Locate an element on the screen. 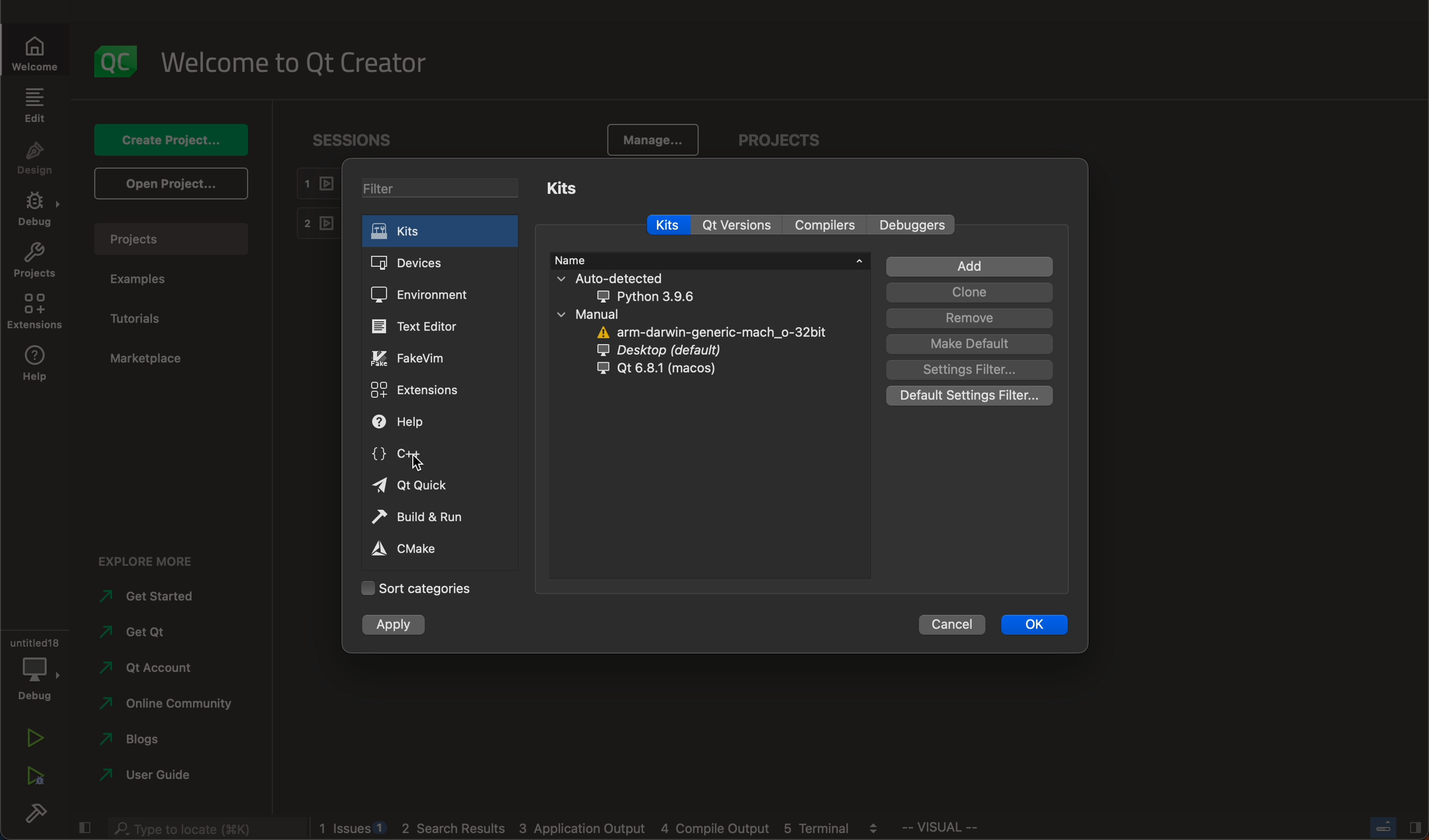  build is located at coordinates (34, 816).